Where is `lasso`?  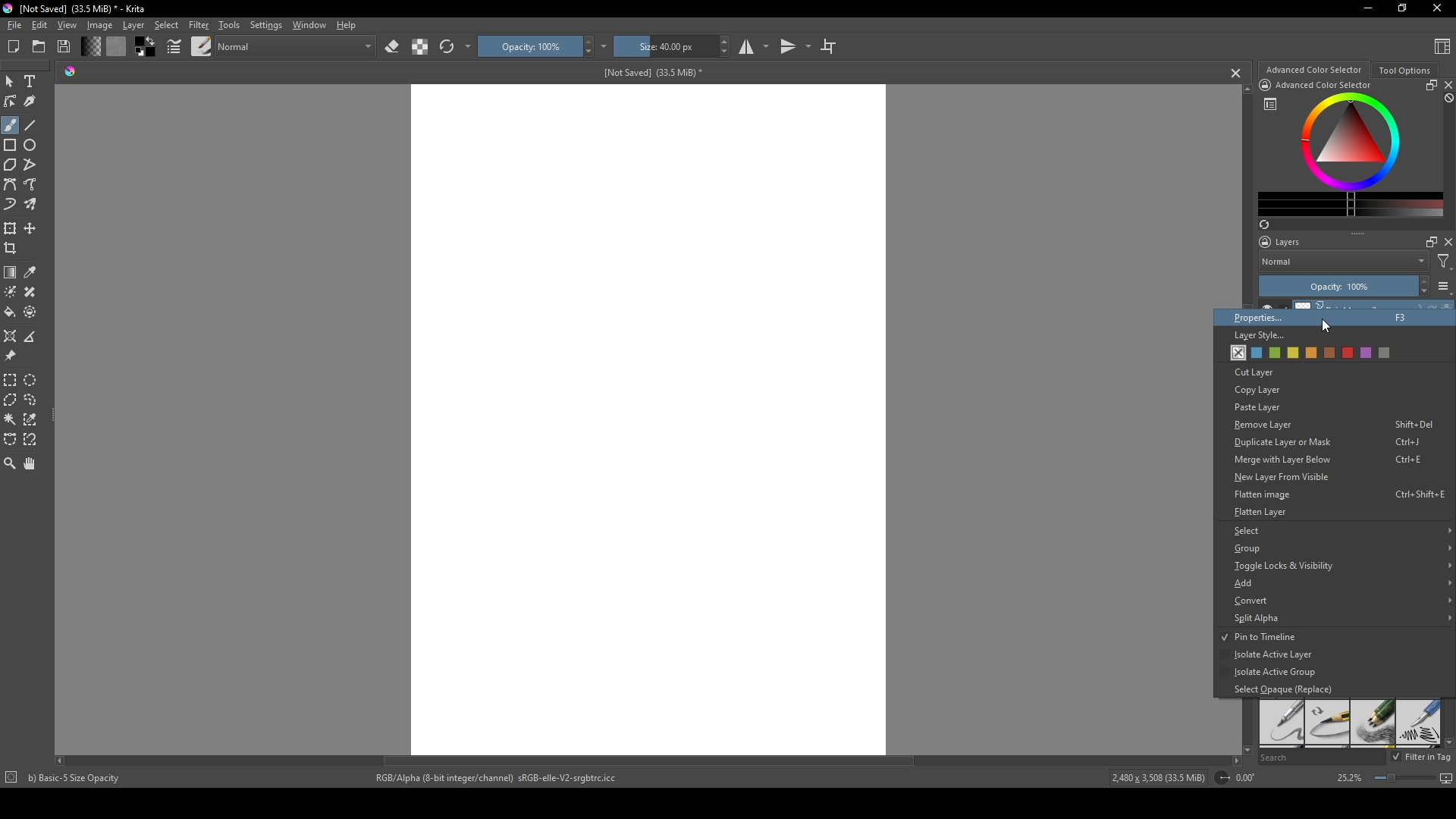 lasso is located at coordinates (32, 400).